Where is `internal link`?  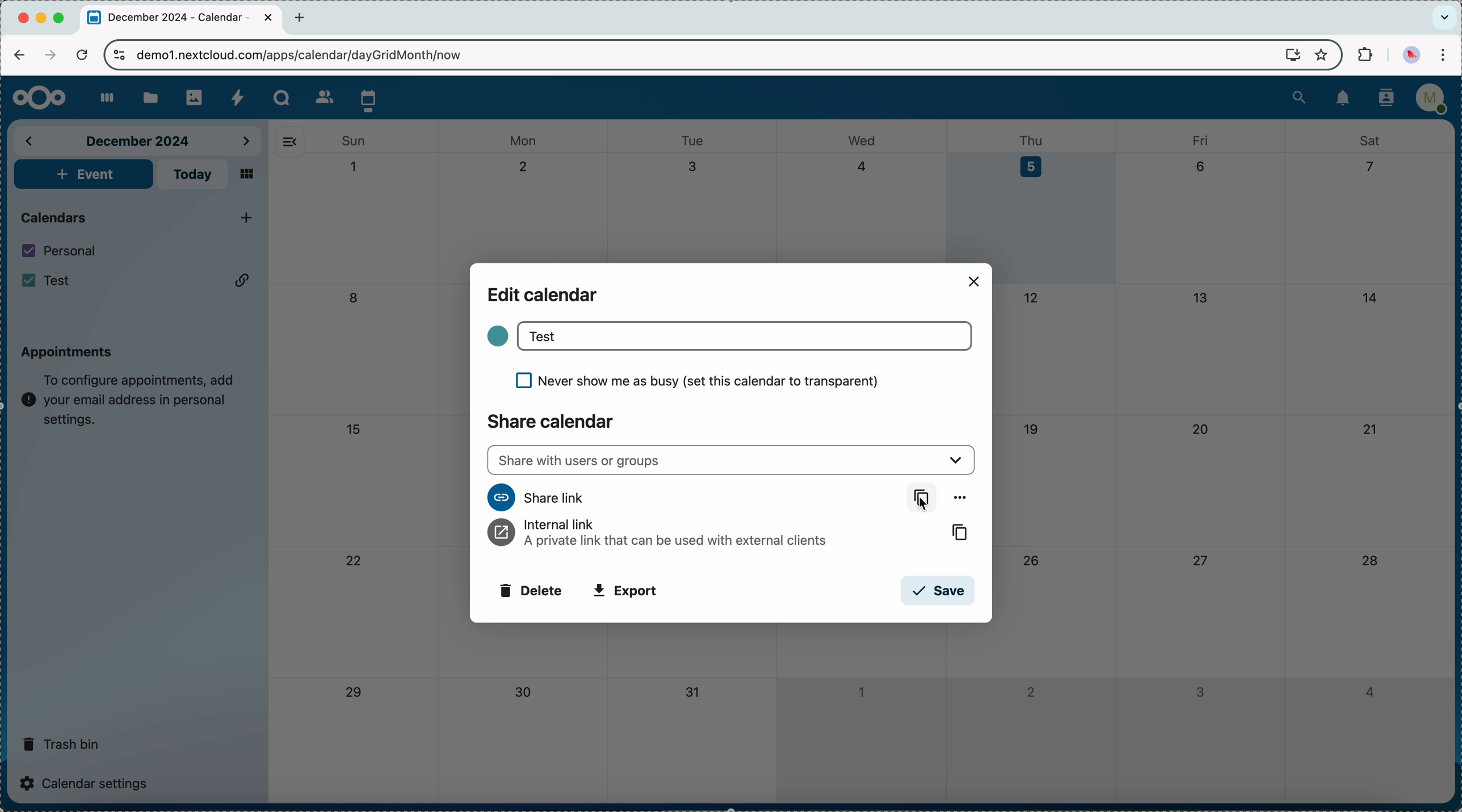 internal link is located at coordinates (658, 534).